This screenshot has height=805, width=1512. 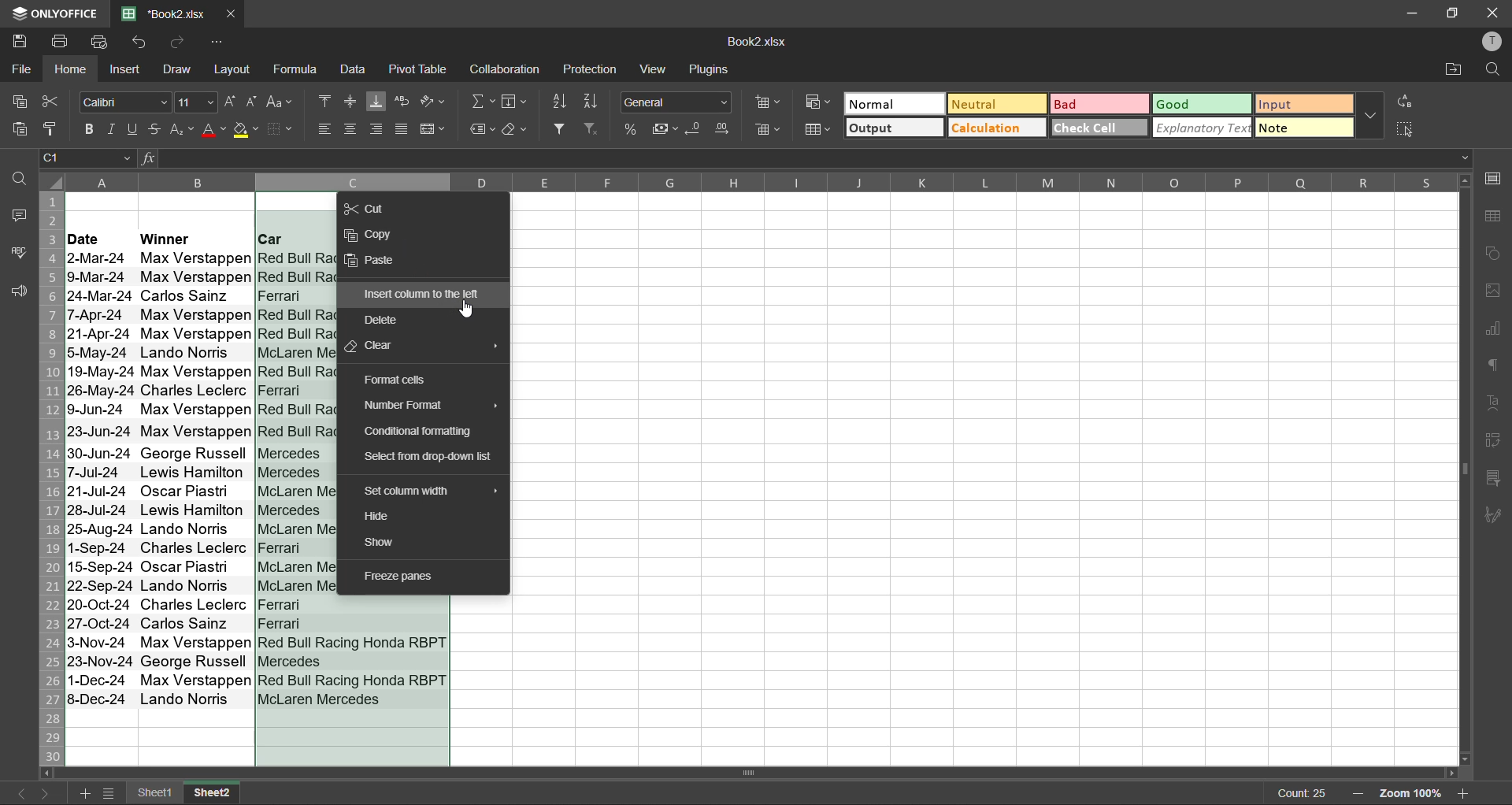 I want to click on increase decimal, so click(x=727, y=129).